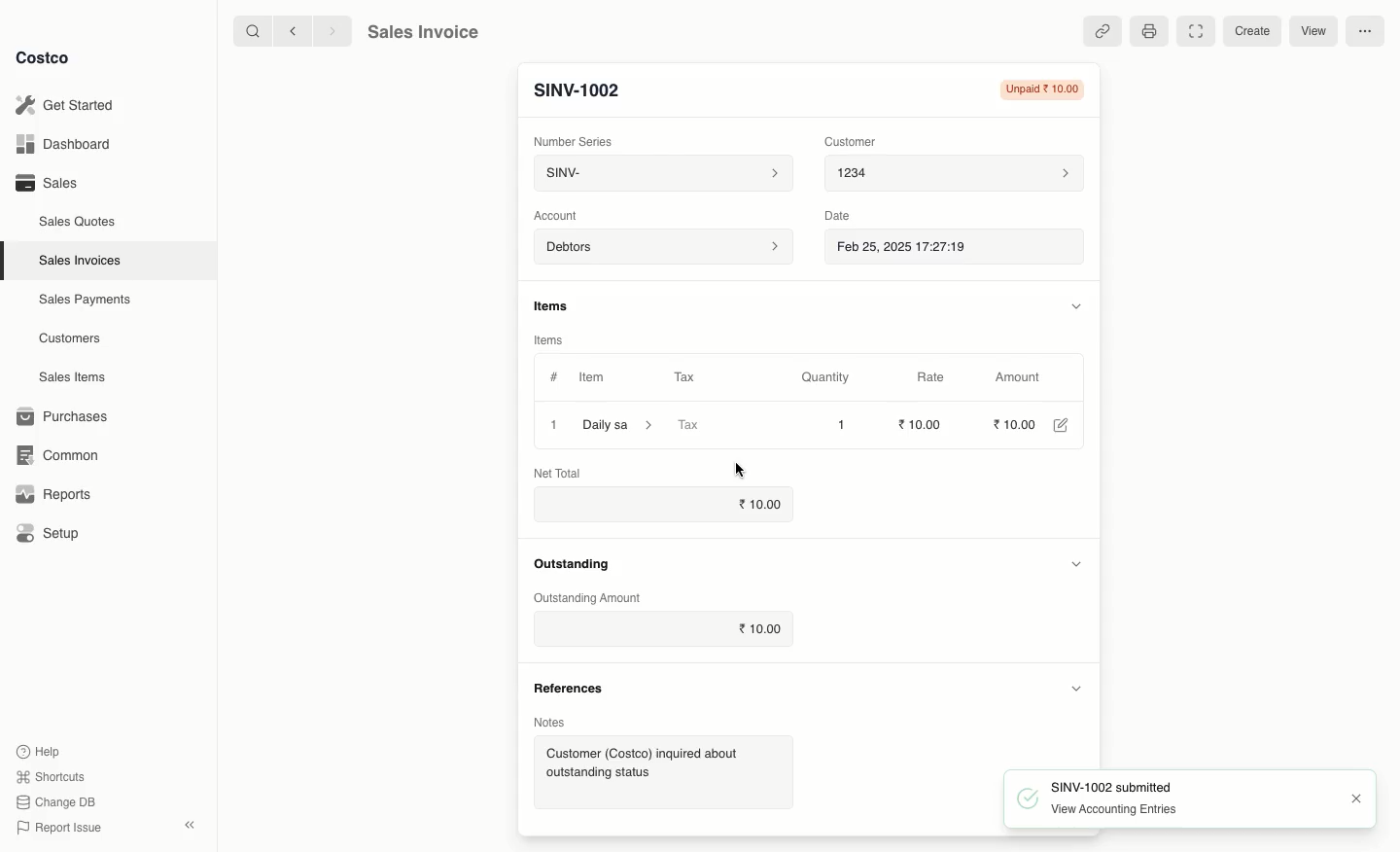  I want to click on cursor, so click(742, 471).